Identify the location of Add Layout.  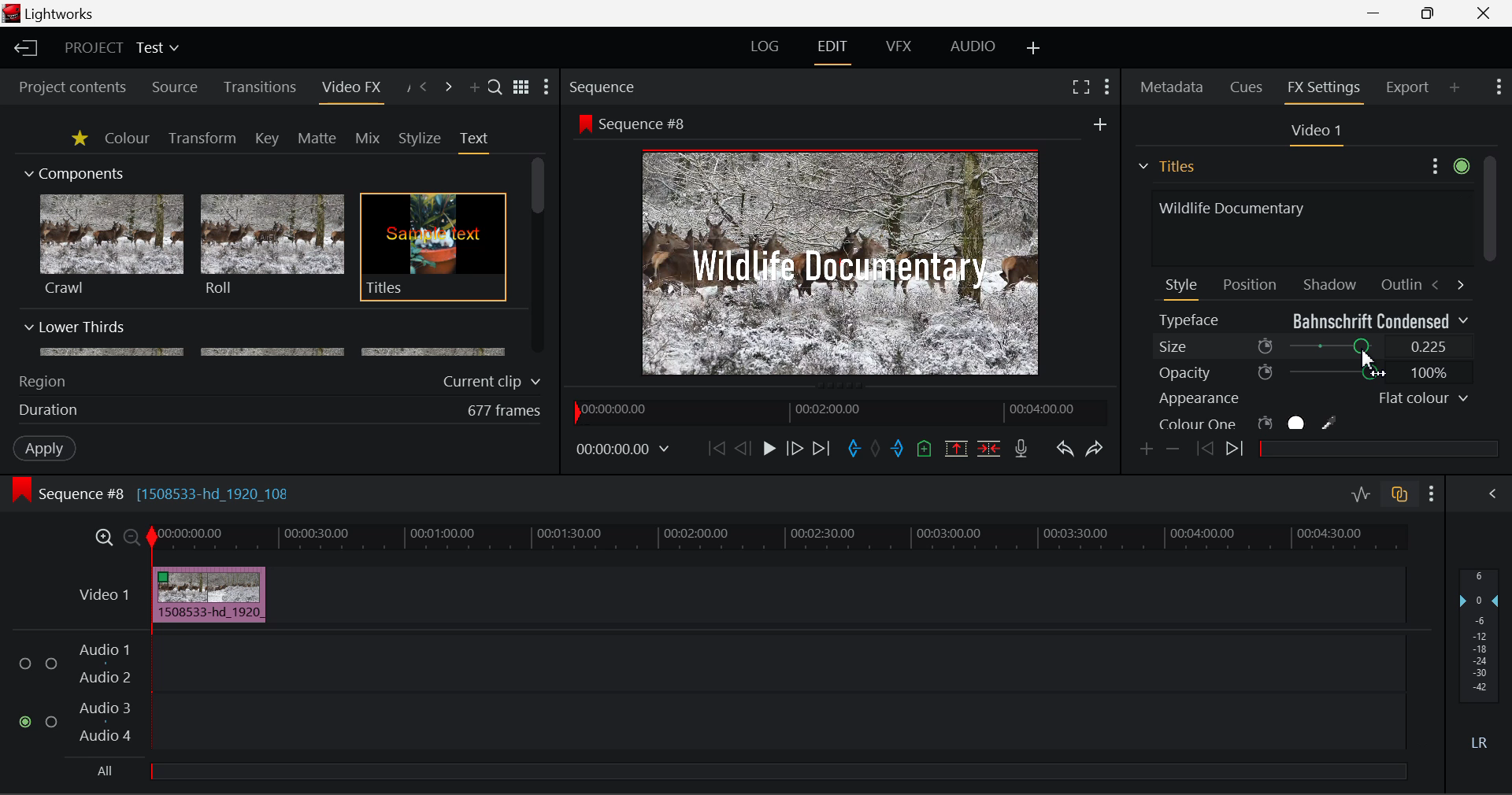
(1036, 50).